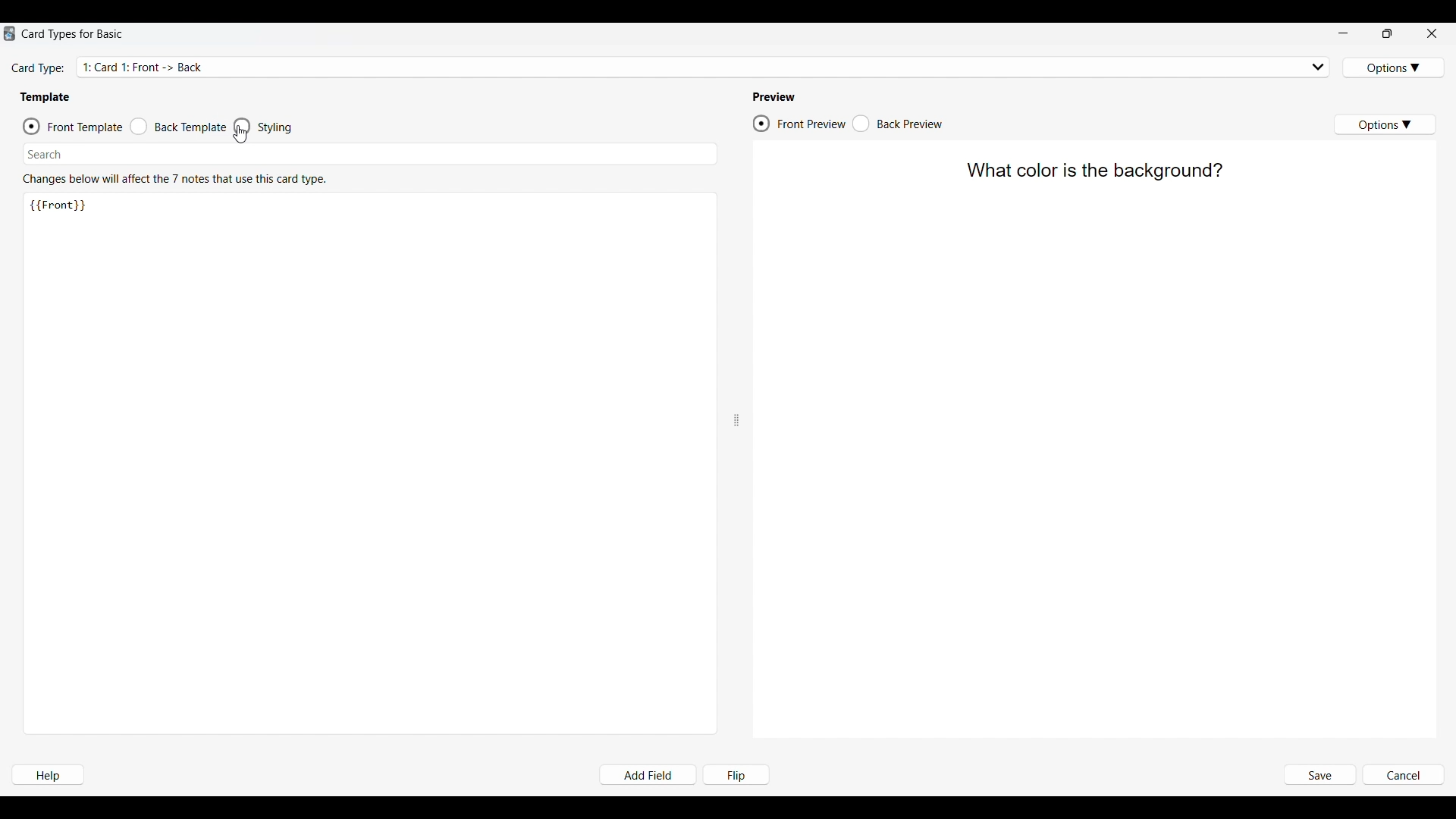  I want to click on Indicates card type setting, so click(39, 69).